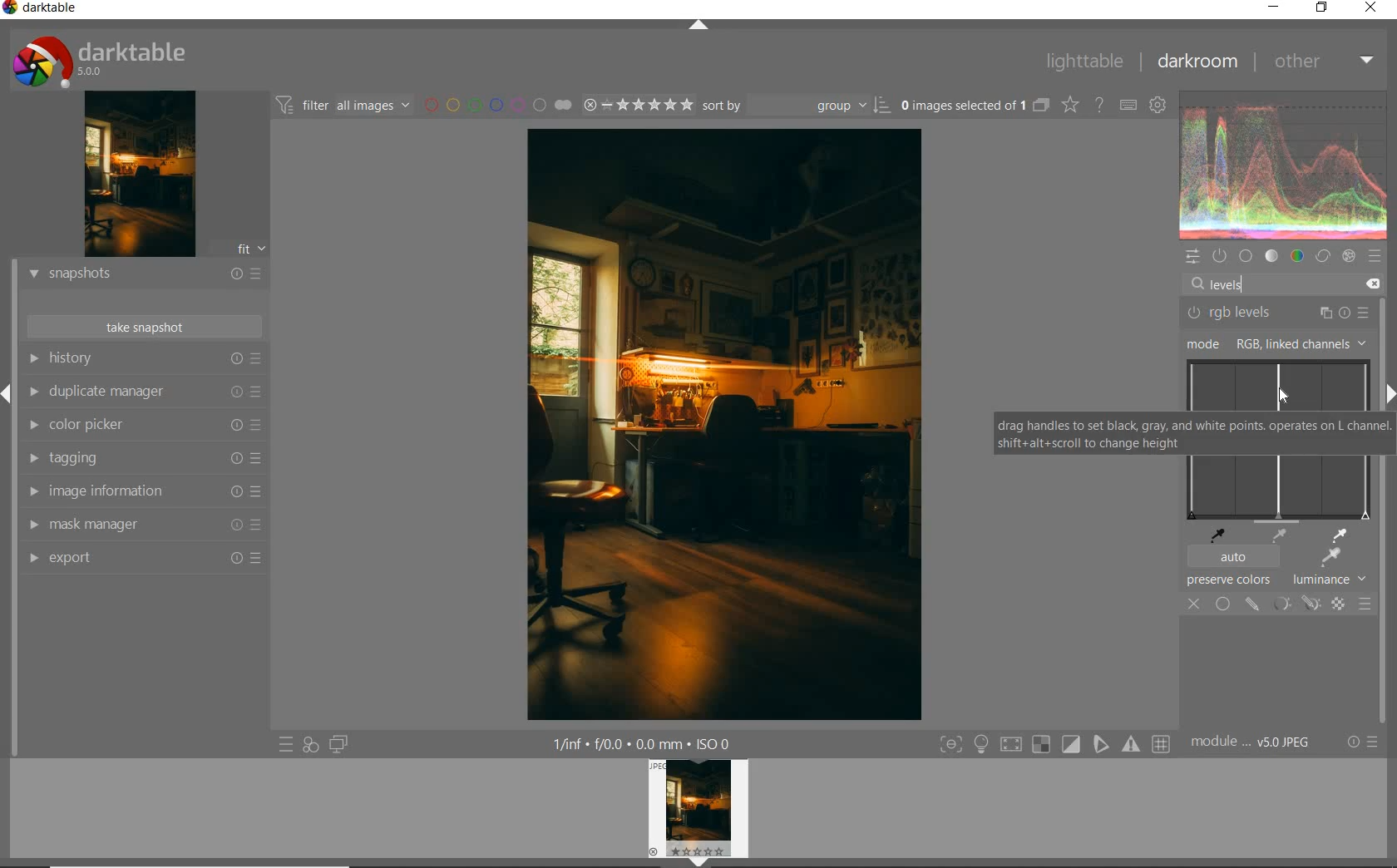  Describe the element at coordinates (1283, 396) in the screenshot. I see `cursor` at that location.